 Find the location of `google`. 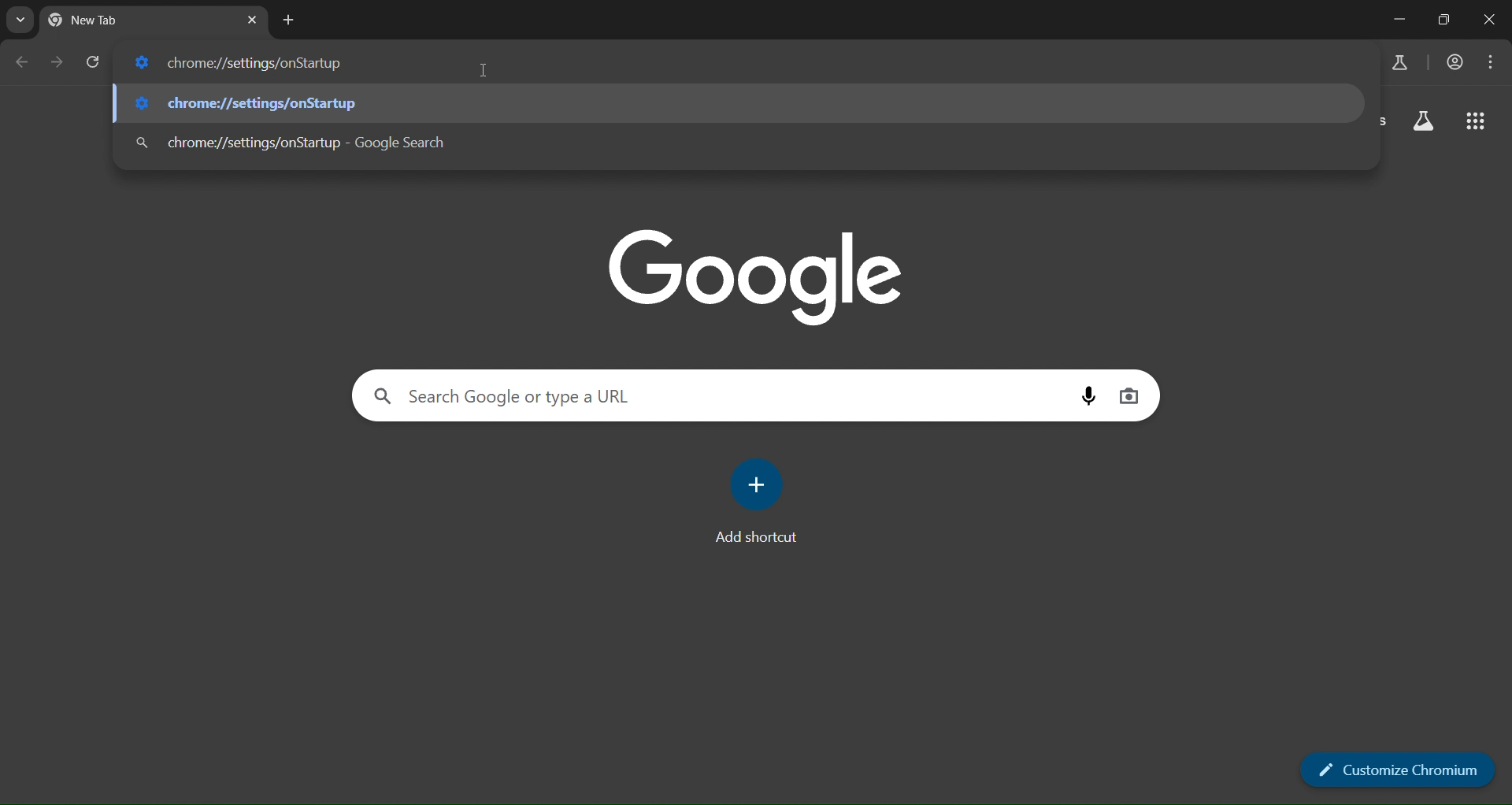

google is located at coordinates (760, 283).